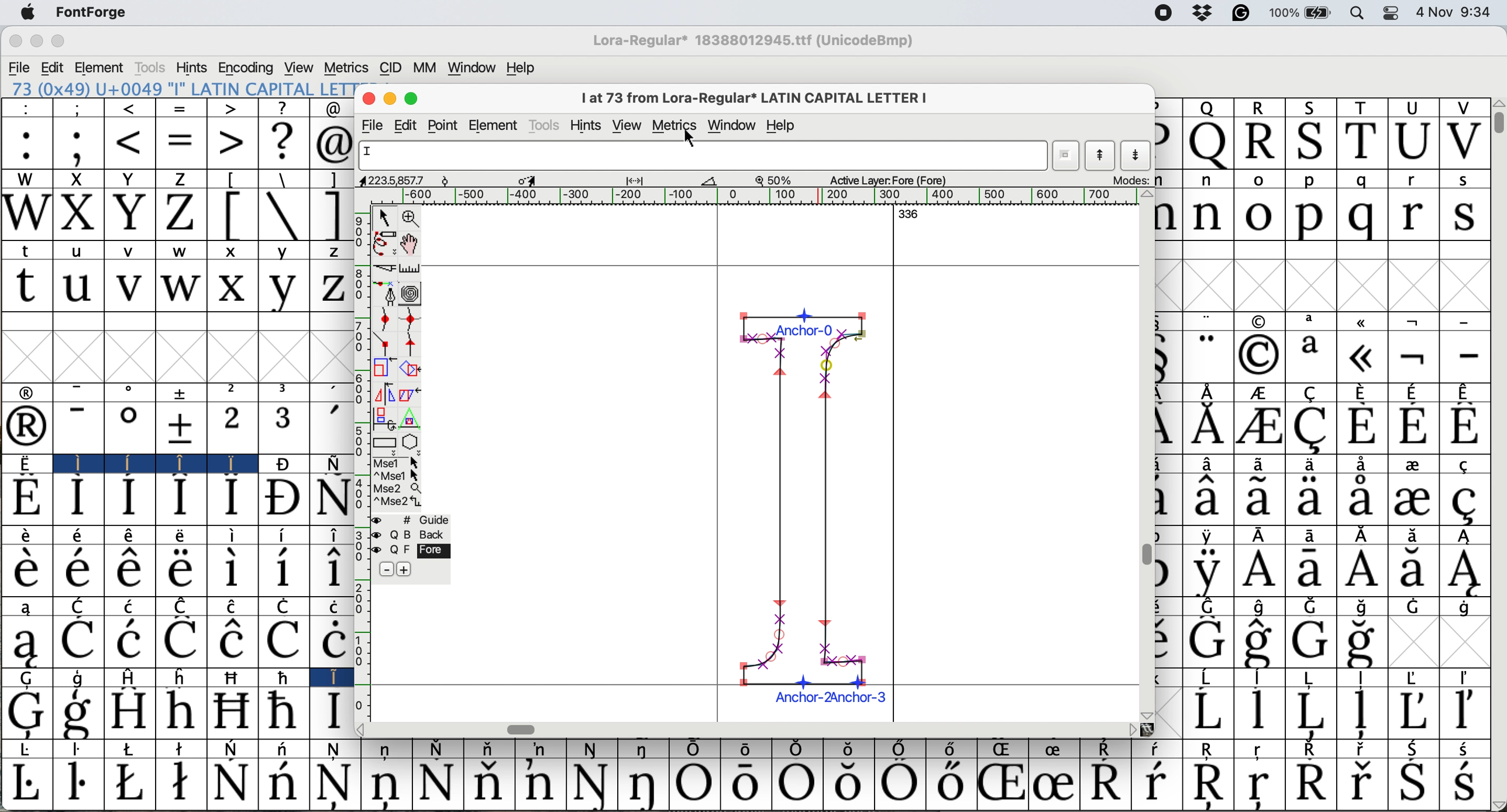  Describe the element at coordinates (1413, 784) in the screenshot. I see `Symbol` at that location.